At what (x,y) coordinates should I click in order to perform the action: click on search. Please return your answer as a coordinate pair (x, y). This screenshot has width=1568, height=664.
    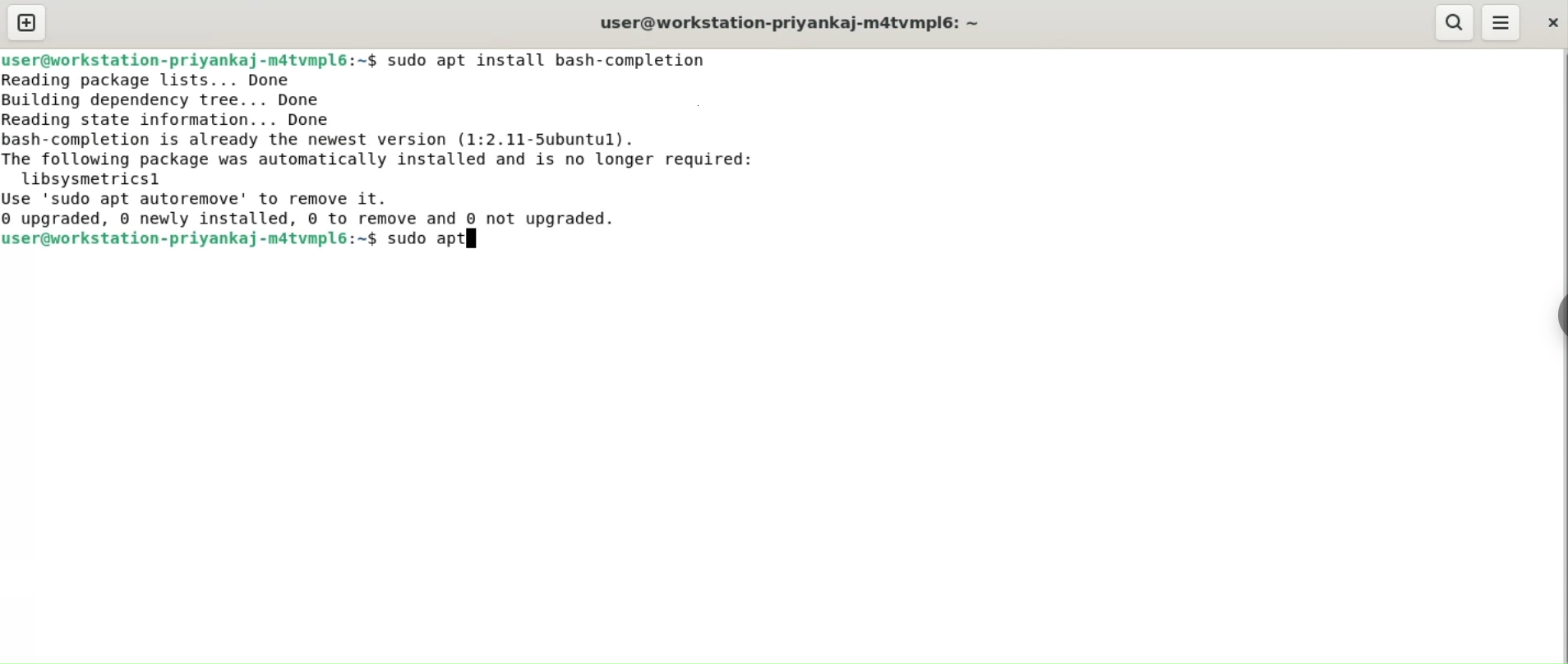
    Looking at the image, I should click on (1454, 22).